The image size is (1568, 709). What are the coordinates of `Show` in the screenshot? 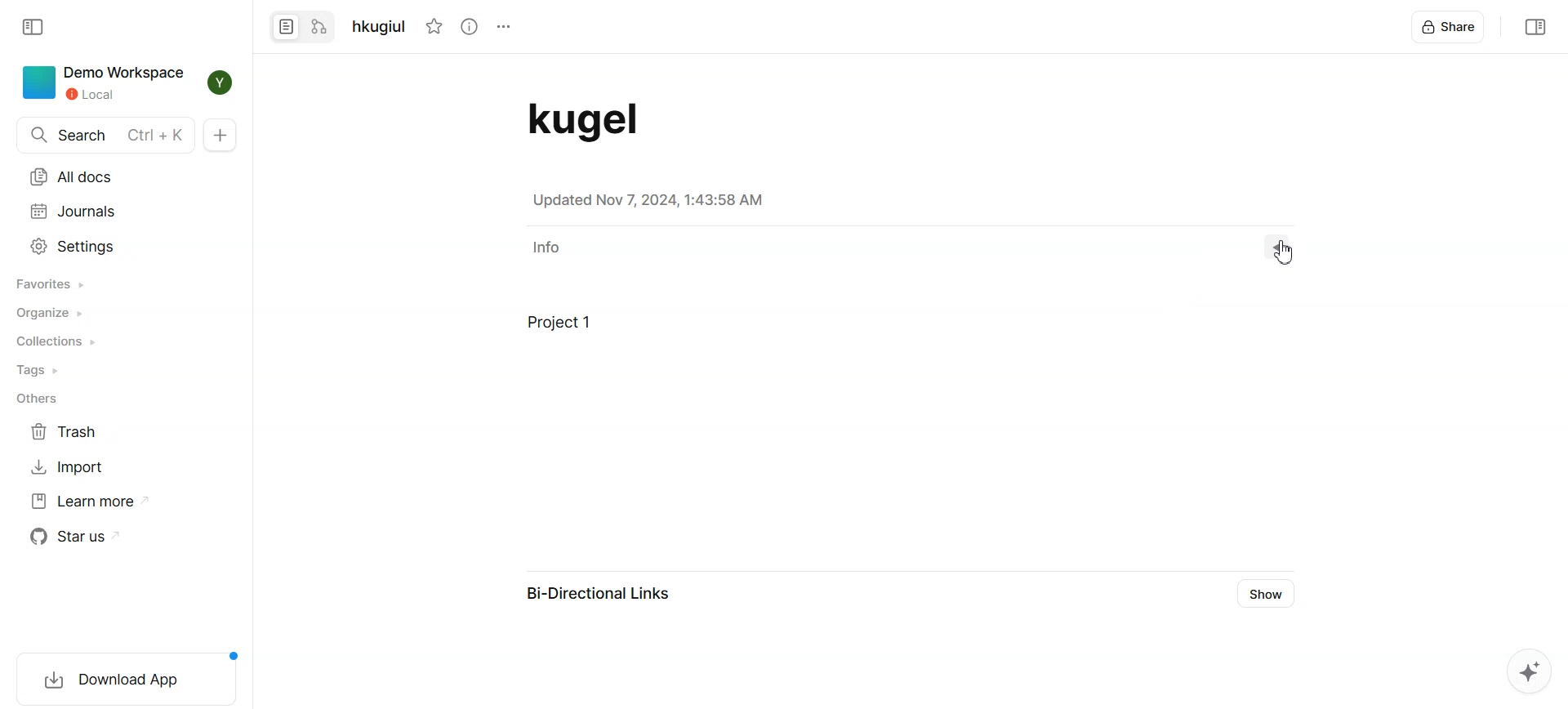 It's located at (1266, 594).